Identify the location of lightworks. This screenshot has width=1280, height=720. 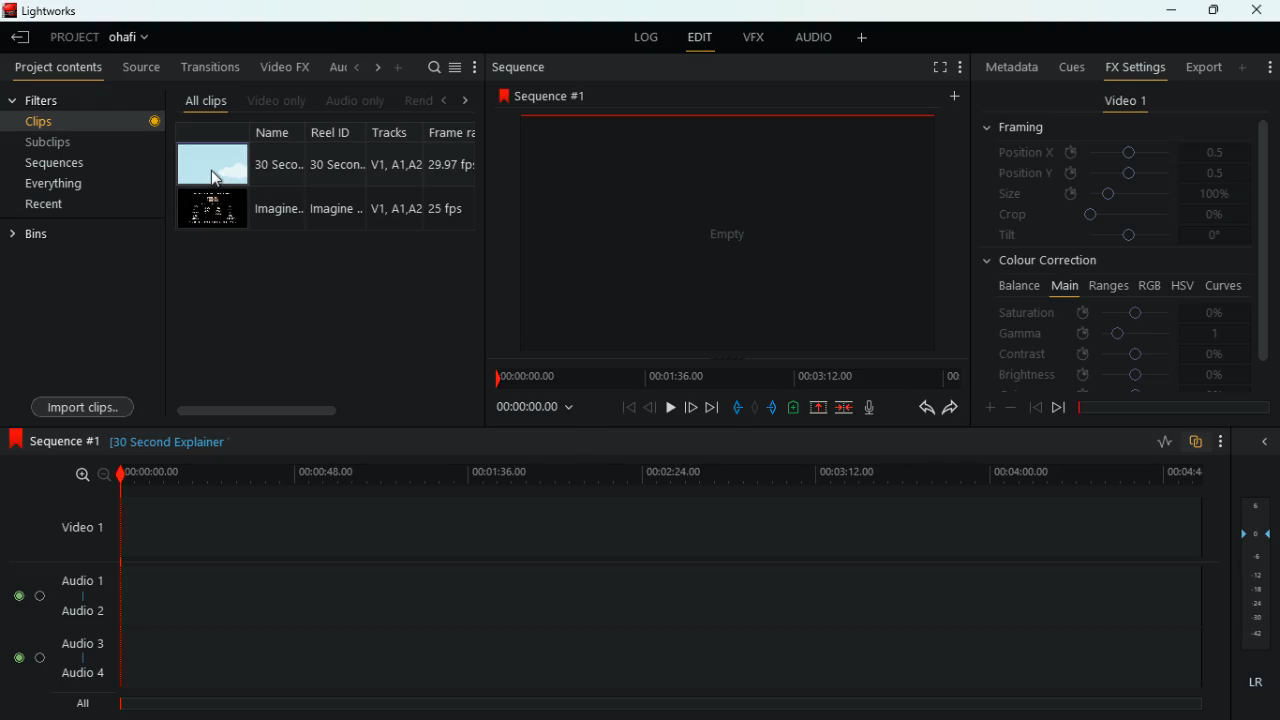
(65, 10).